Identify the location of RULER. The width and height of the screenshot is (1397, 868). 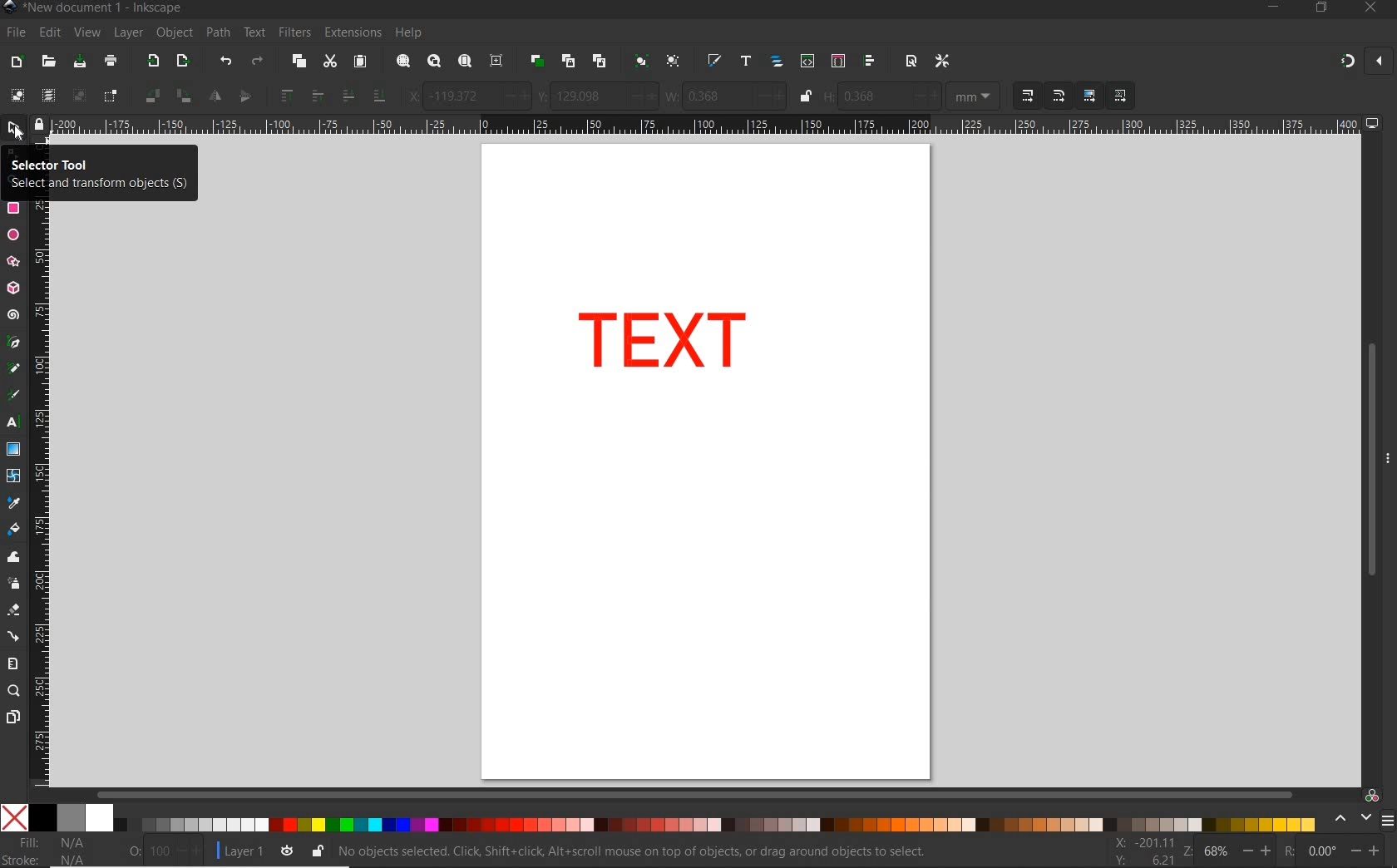
(43, 493).